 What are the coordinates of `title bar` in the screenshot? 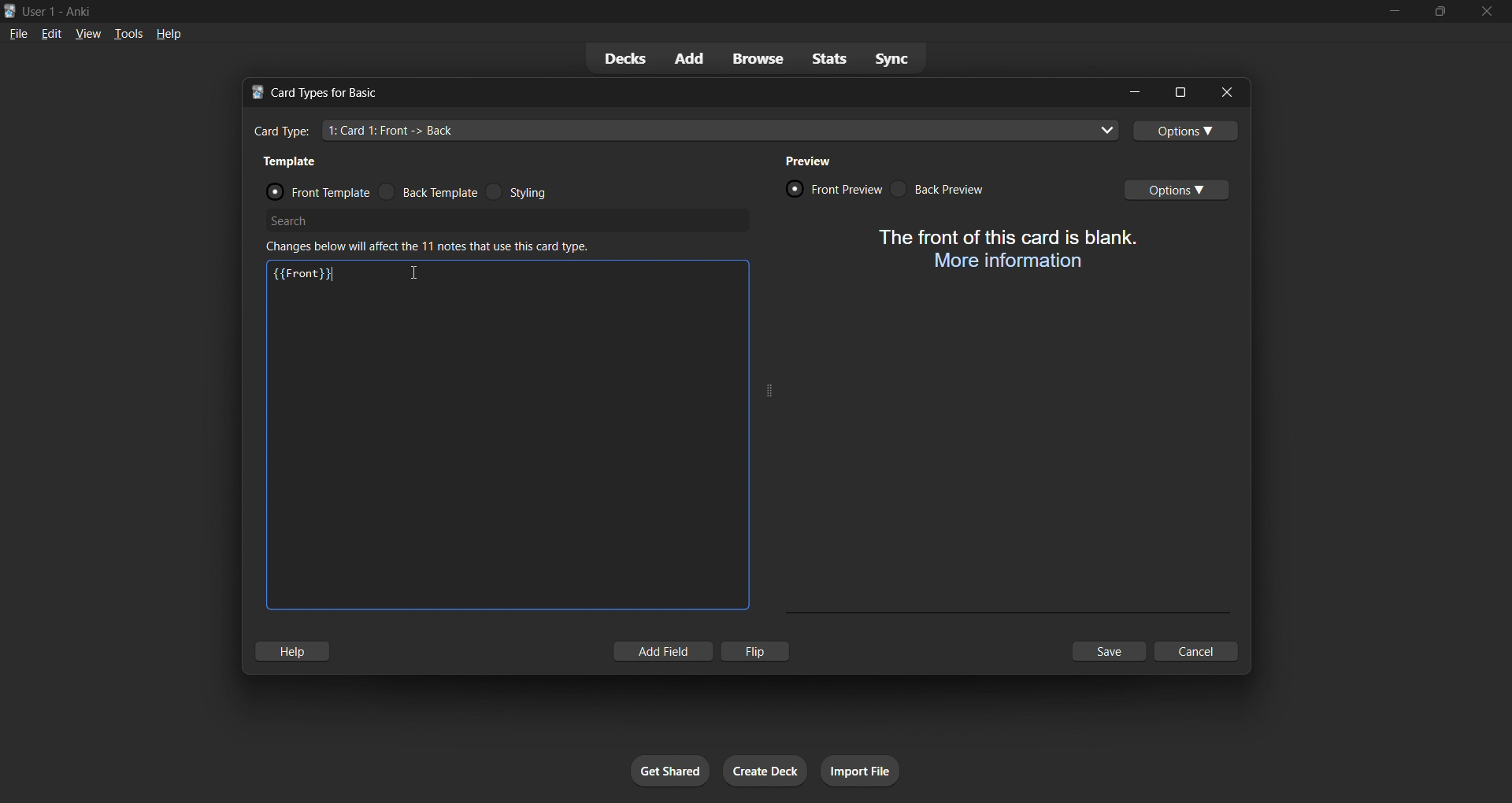 It's located at (672, 93).